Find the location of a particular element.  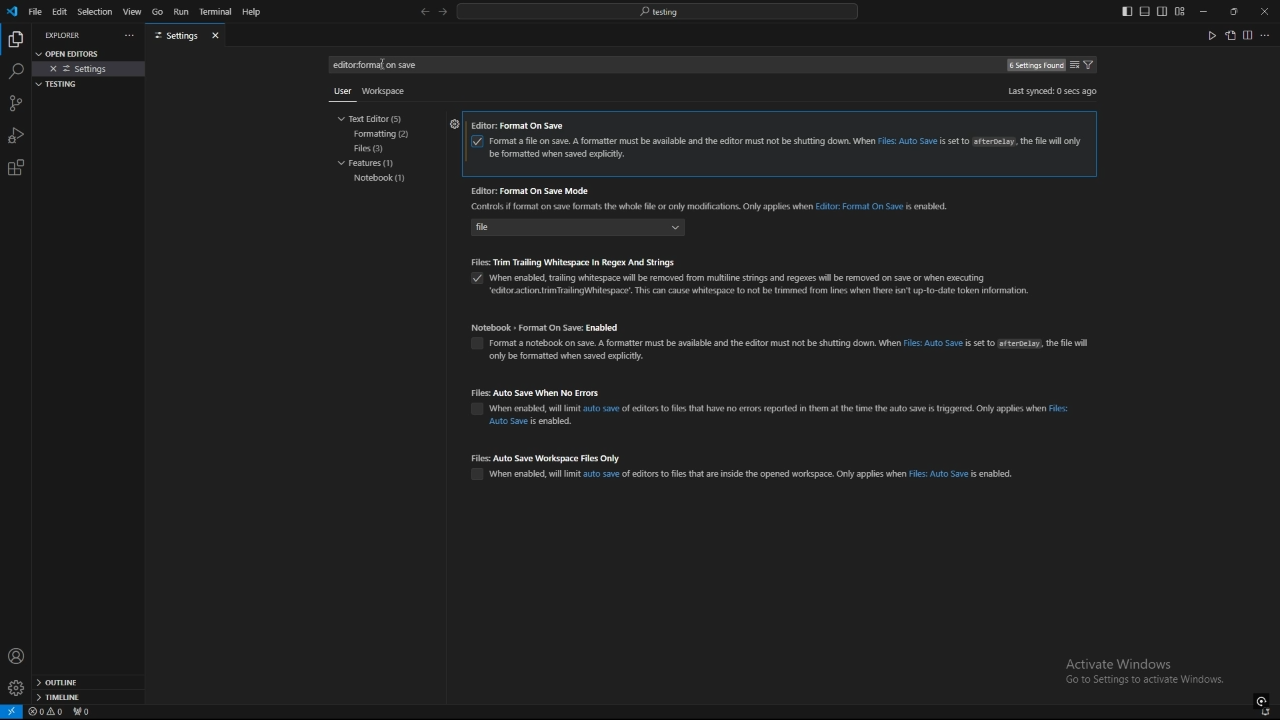

search is located at coordinates (377, 66).